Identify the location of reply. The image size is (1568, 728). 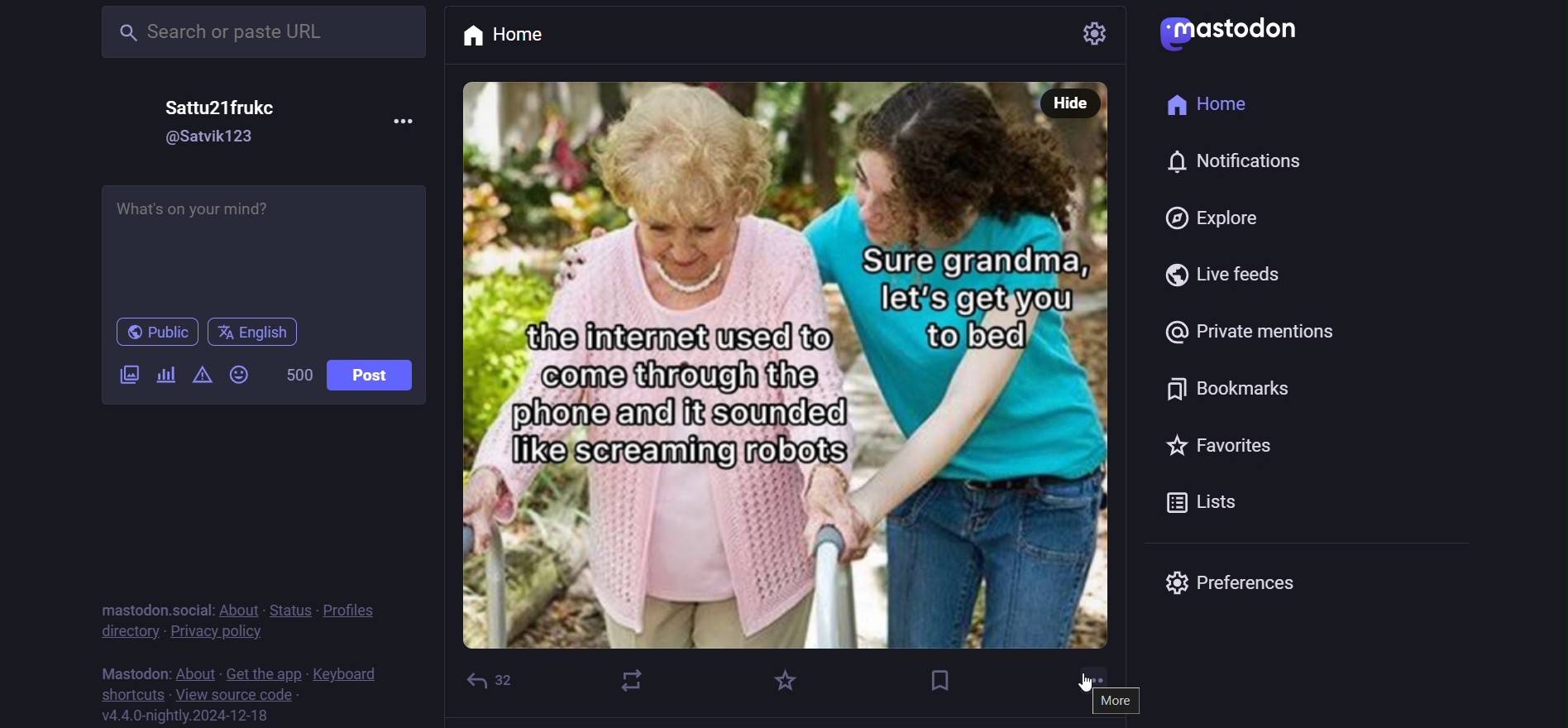
(495, 680).